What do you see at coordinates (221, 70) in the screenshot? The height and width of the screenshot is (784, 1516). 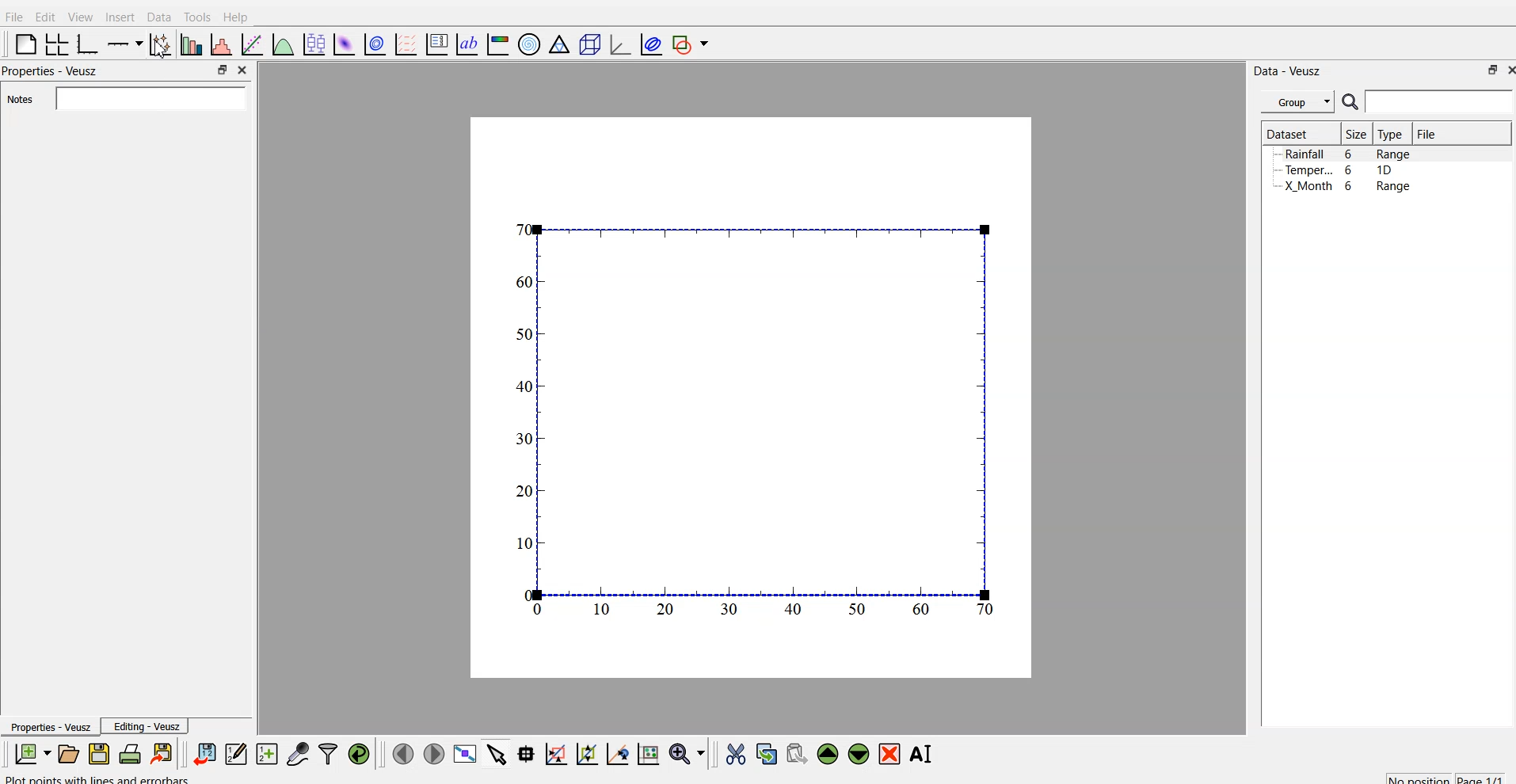 I see `maximize` at bounding box center [221, 70].